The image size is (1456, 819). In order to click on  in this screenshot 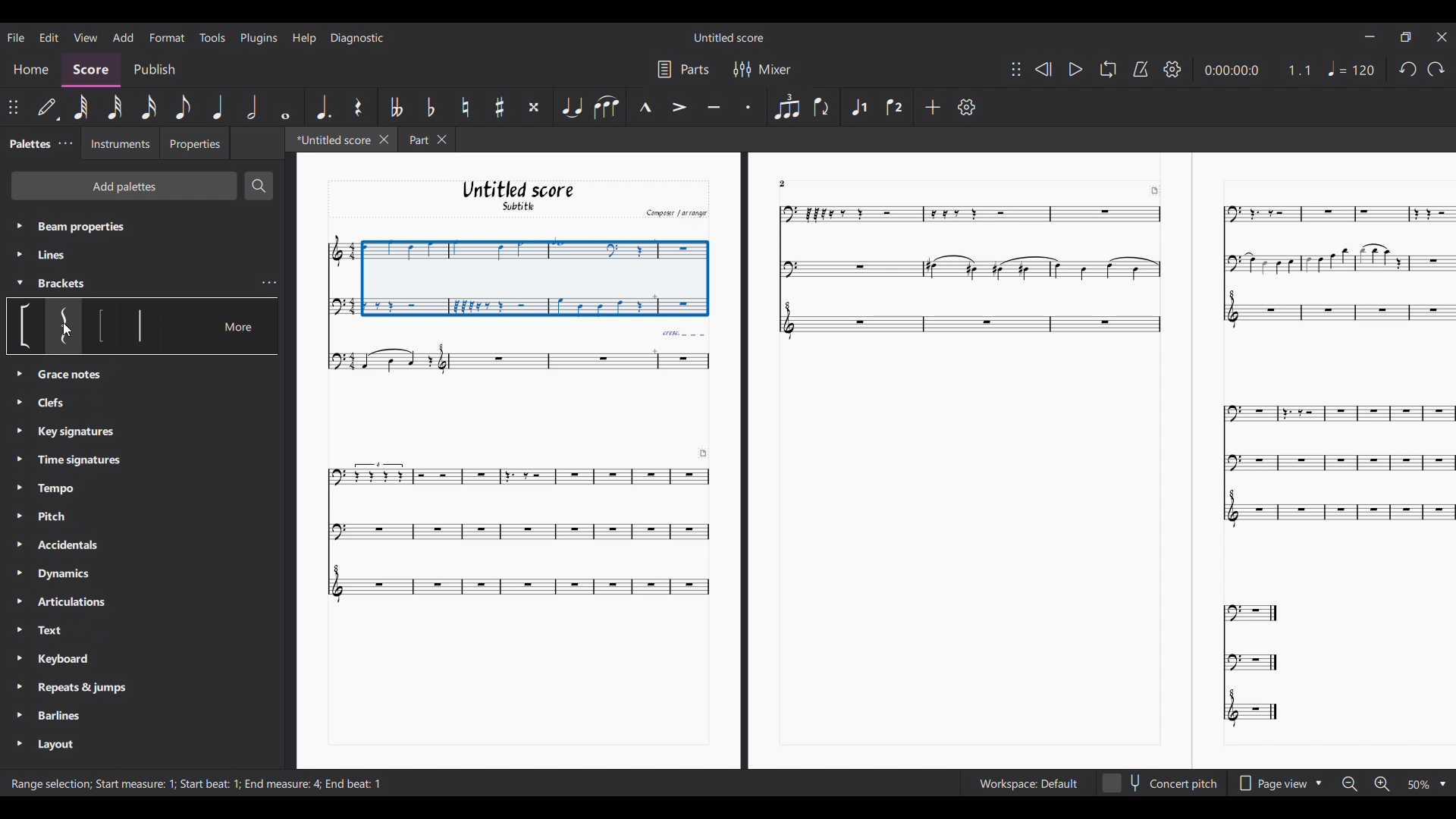, I will do `click(1250, 613)`.